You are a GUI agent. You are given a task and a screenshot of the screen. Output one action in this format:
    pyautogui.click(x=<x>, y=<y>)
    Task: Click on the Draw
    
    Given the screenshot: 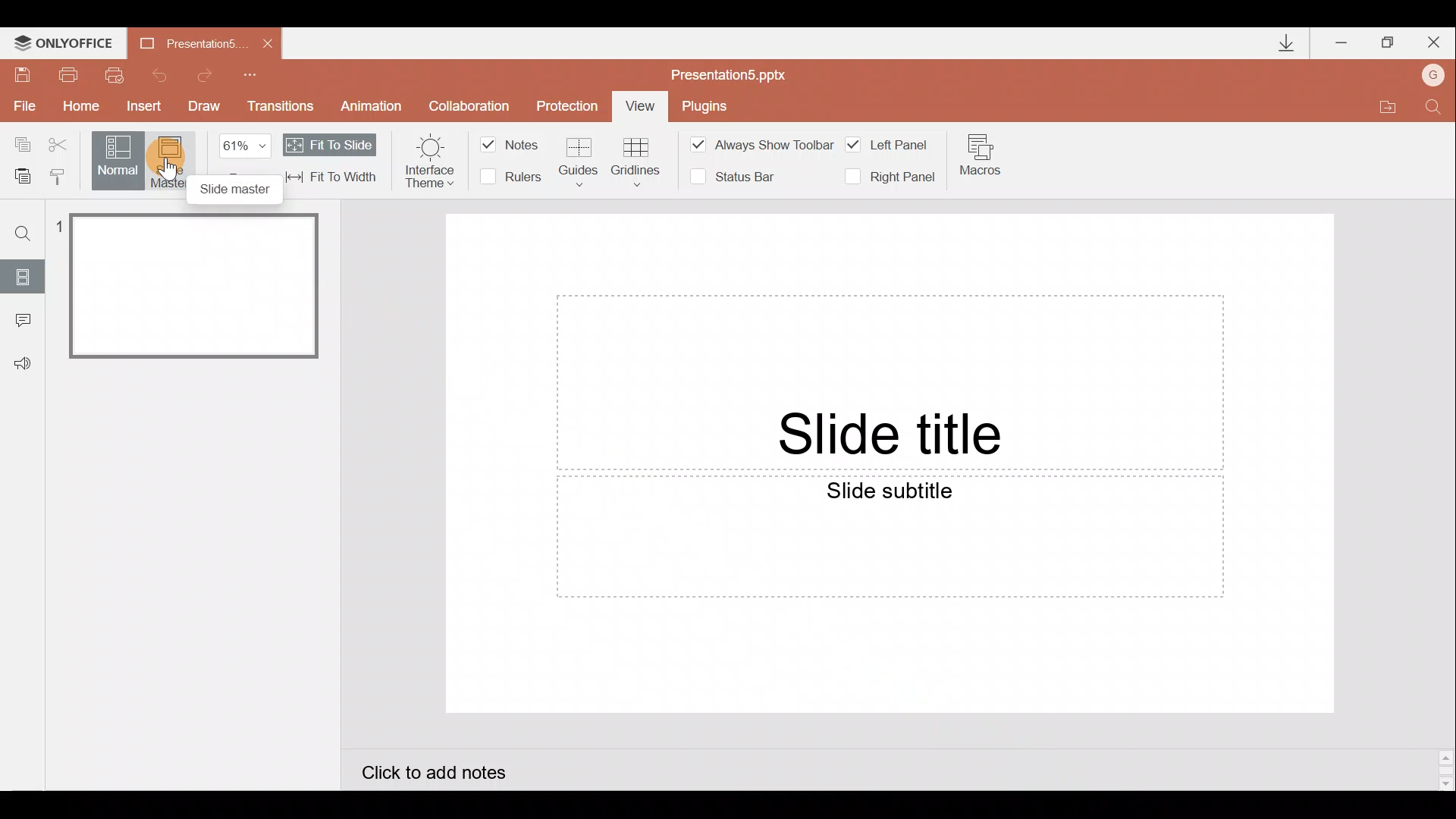 What is the action you would take?
    pyautogui.click(x=209, y=108)
    